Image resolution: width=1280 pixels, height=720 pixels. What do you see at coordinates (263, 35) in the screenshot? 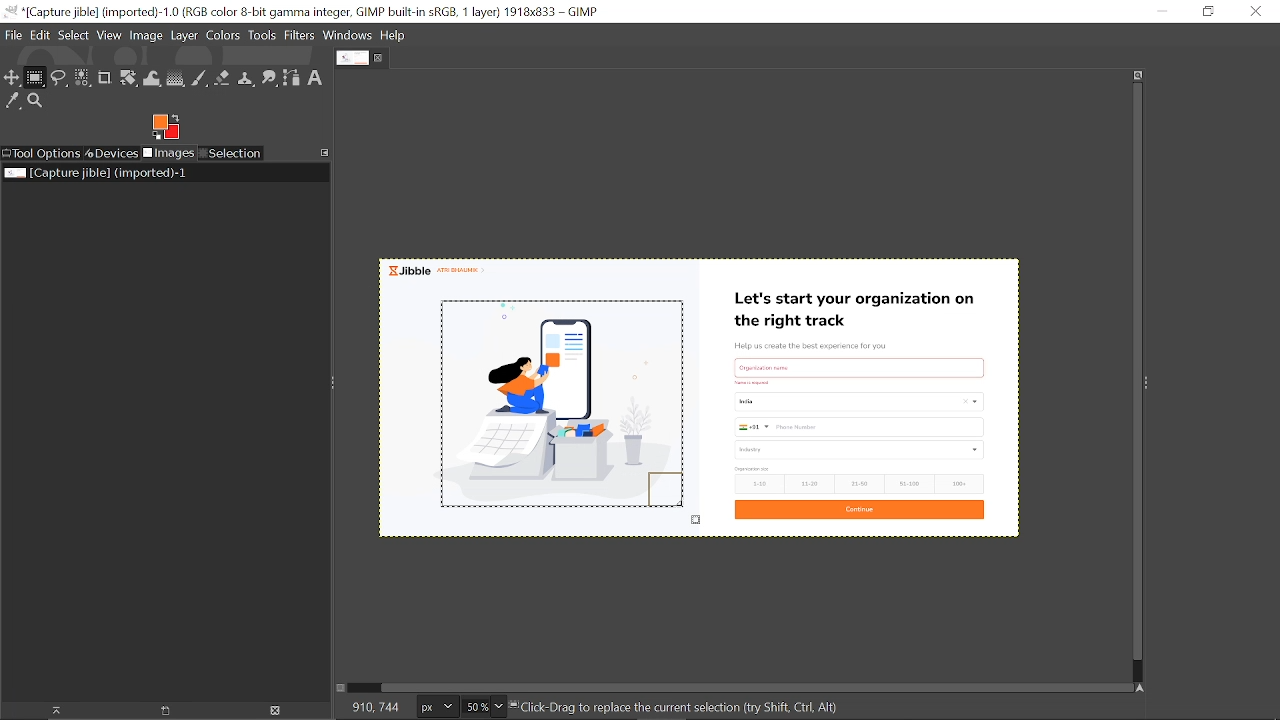
I see `Tools` at bounding box center [263, 35].